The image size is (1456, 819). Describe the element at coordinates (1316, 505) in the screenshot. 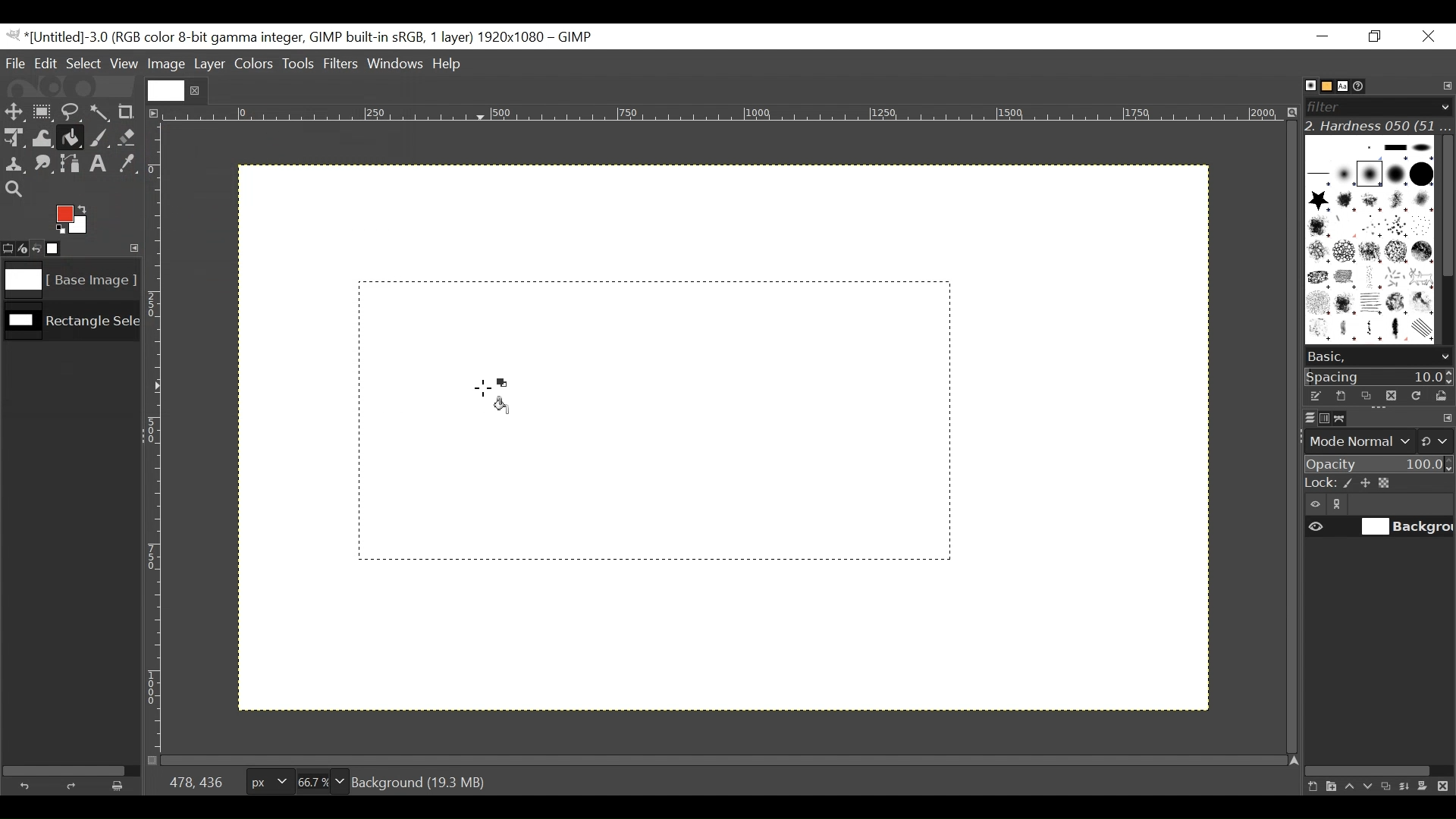

I see `Item visibility` at that location.